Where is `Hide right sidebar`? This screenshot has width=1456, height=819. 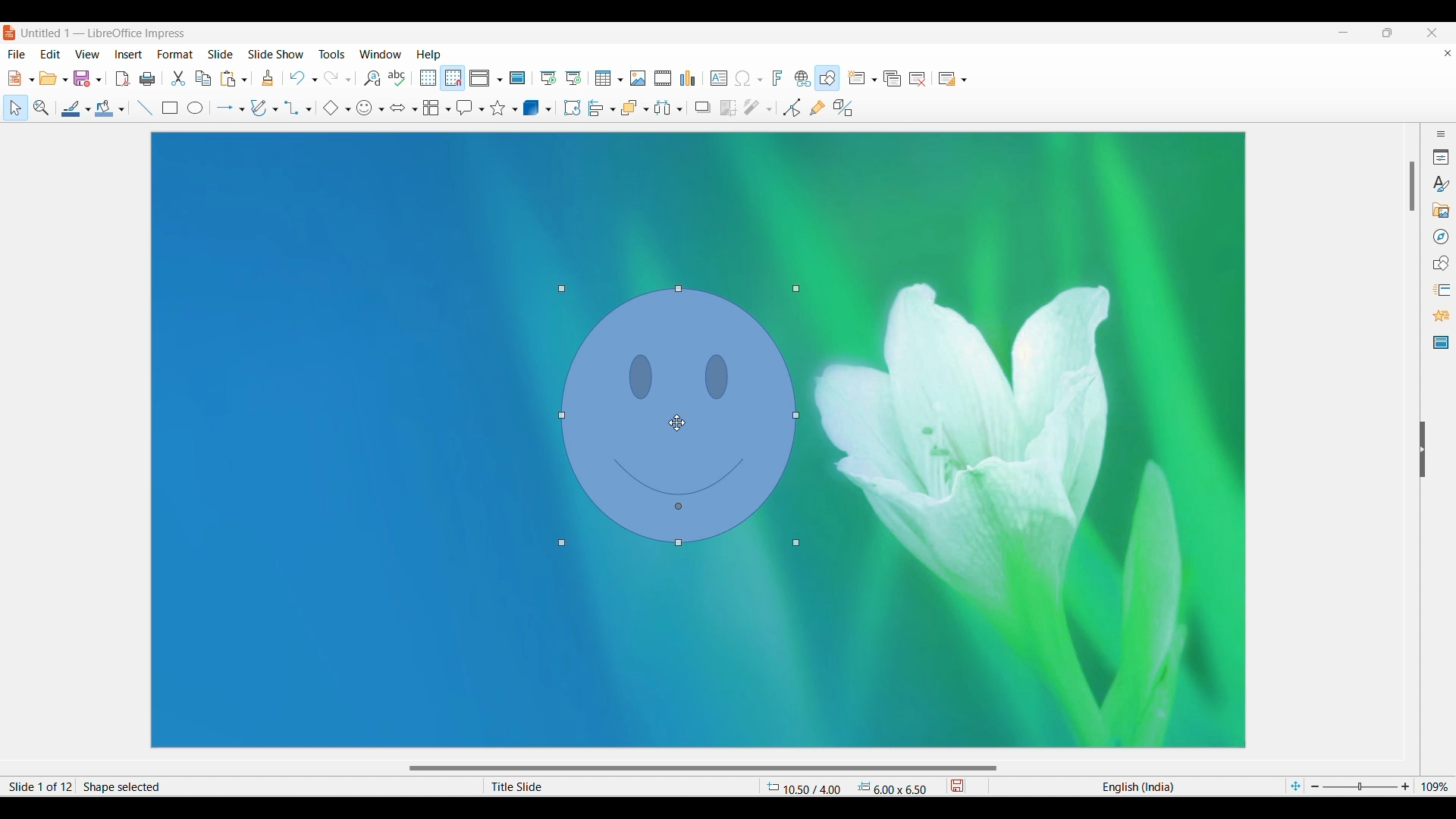 Hide right sidebar is located at coordinates (1422, 450).